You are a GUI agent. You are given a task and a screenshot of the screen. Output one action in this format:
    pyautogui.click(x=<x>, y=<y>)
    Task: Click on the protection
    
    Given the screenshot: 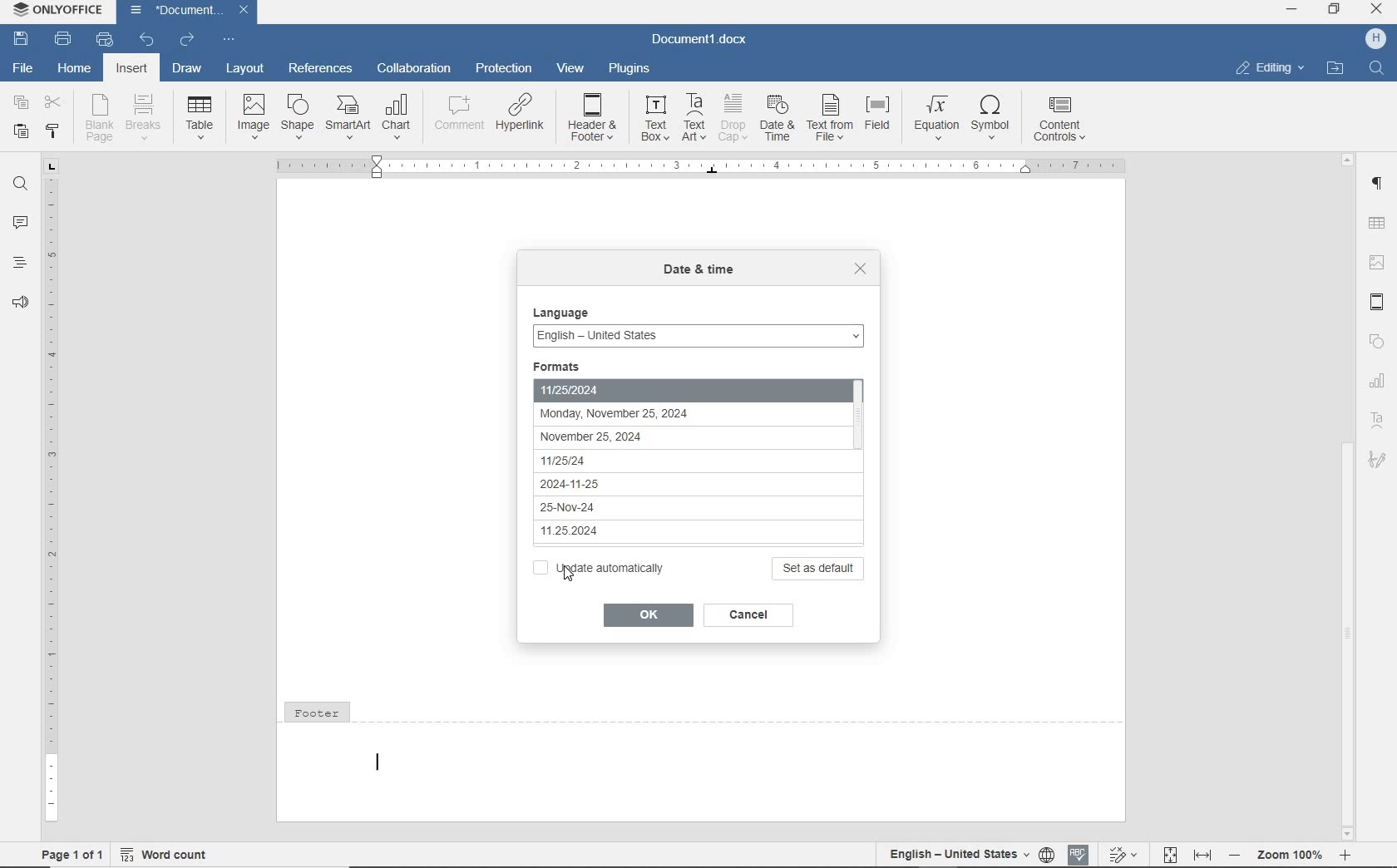 What is the action you would take?
    pyautogui.click(x=502, y=68)
    